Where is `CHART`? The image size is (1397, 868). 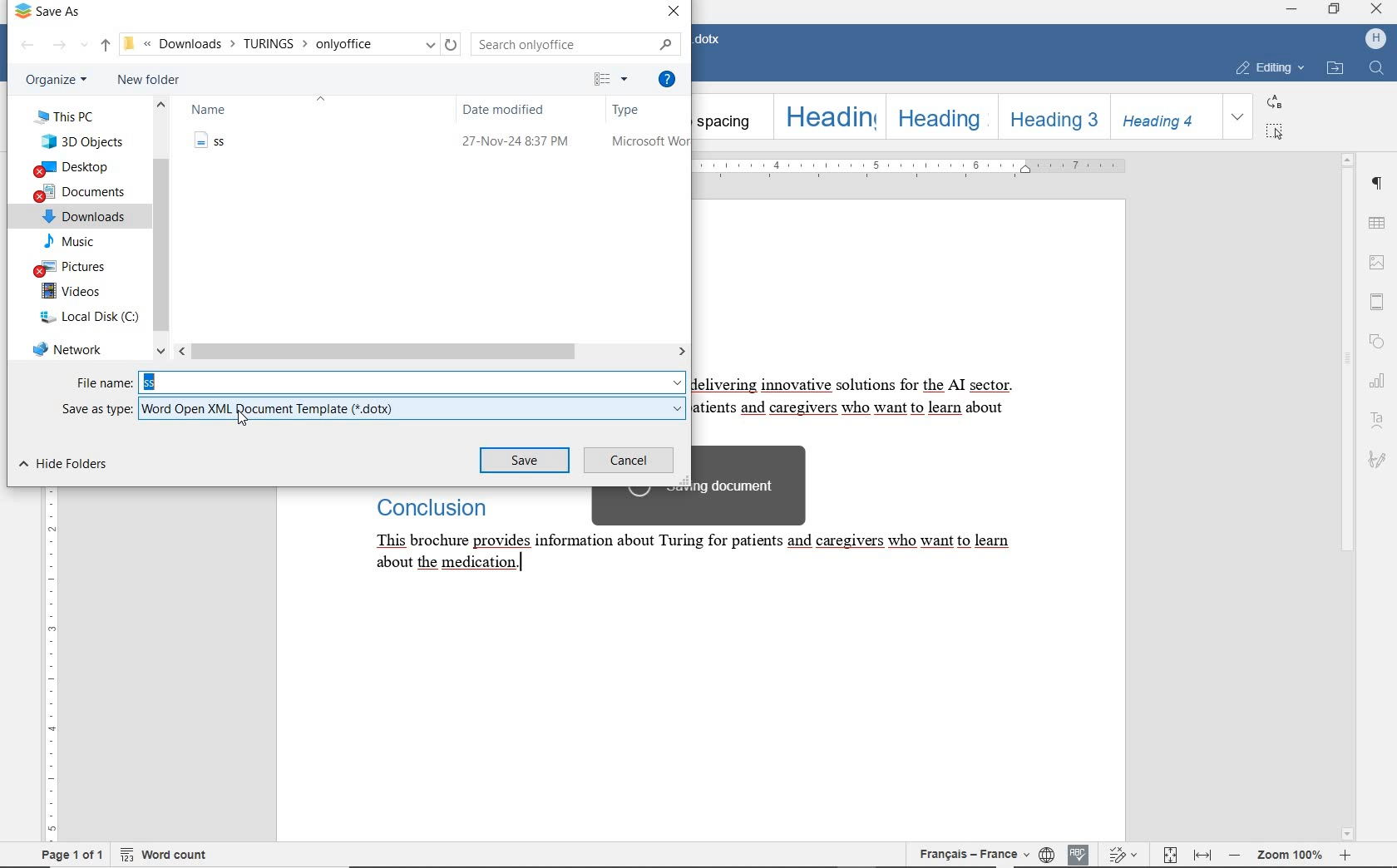
CHART is located at coordinates (1380, 383).